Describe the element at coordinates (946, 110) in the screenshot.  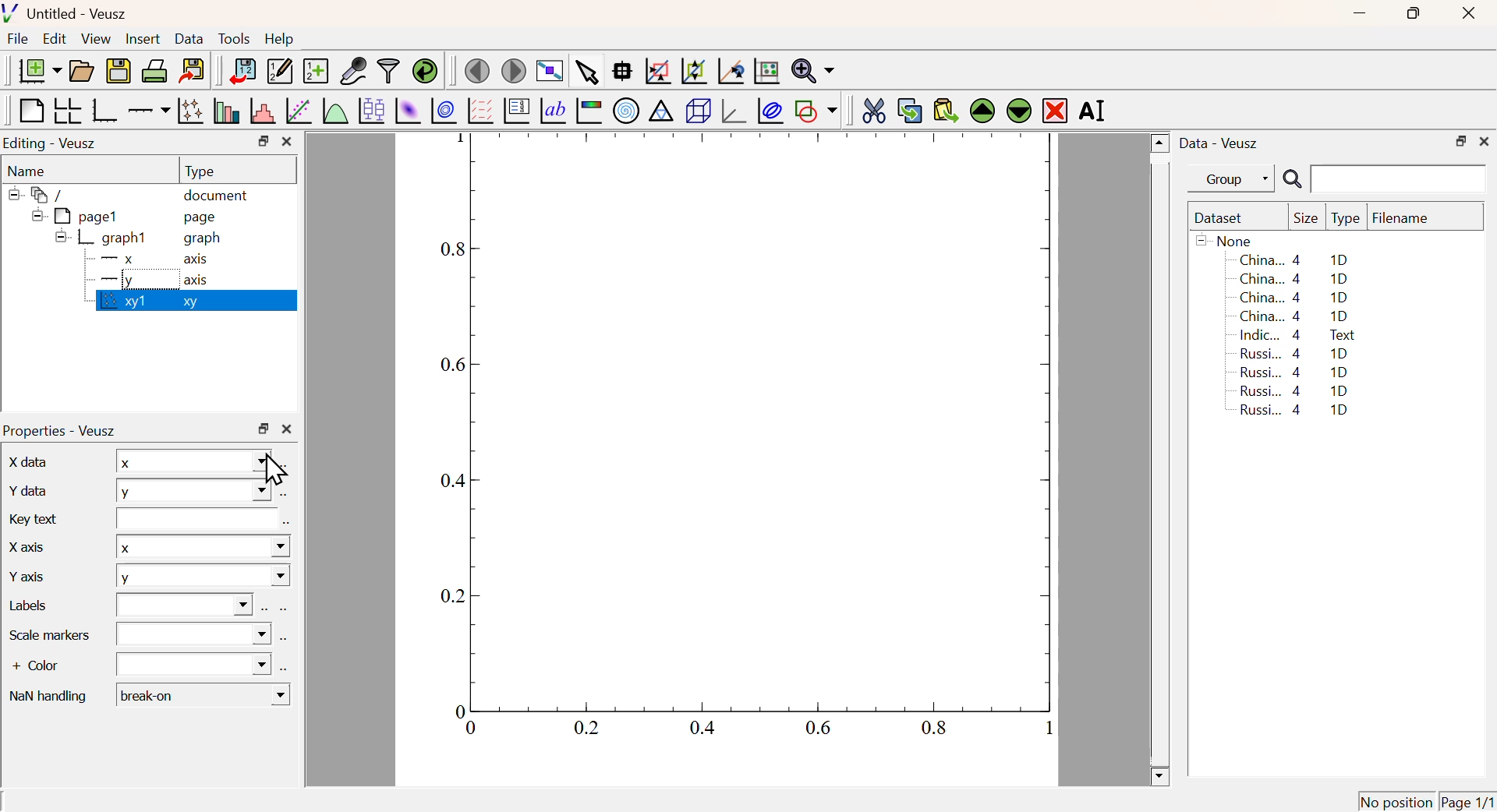
I see `Paste from Clipboard` at that location.